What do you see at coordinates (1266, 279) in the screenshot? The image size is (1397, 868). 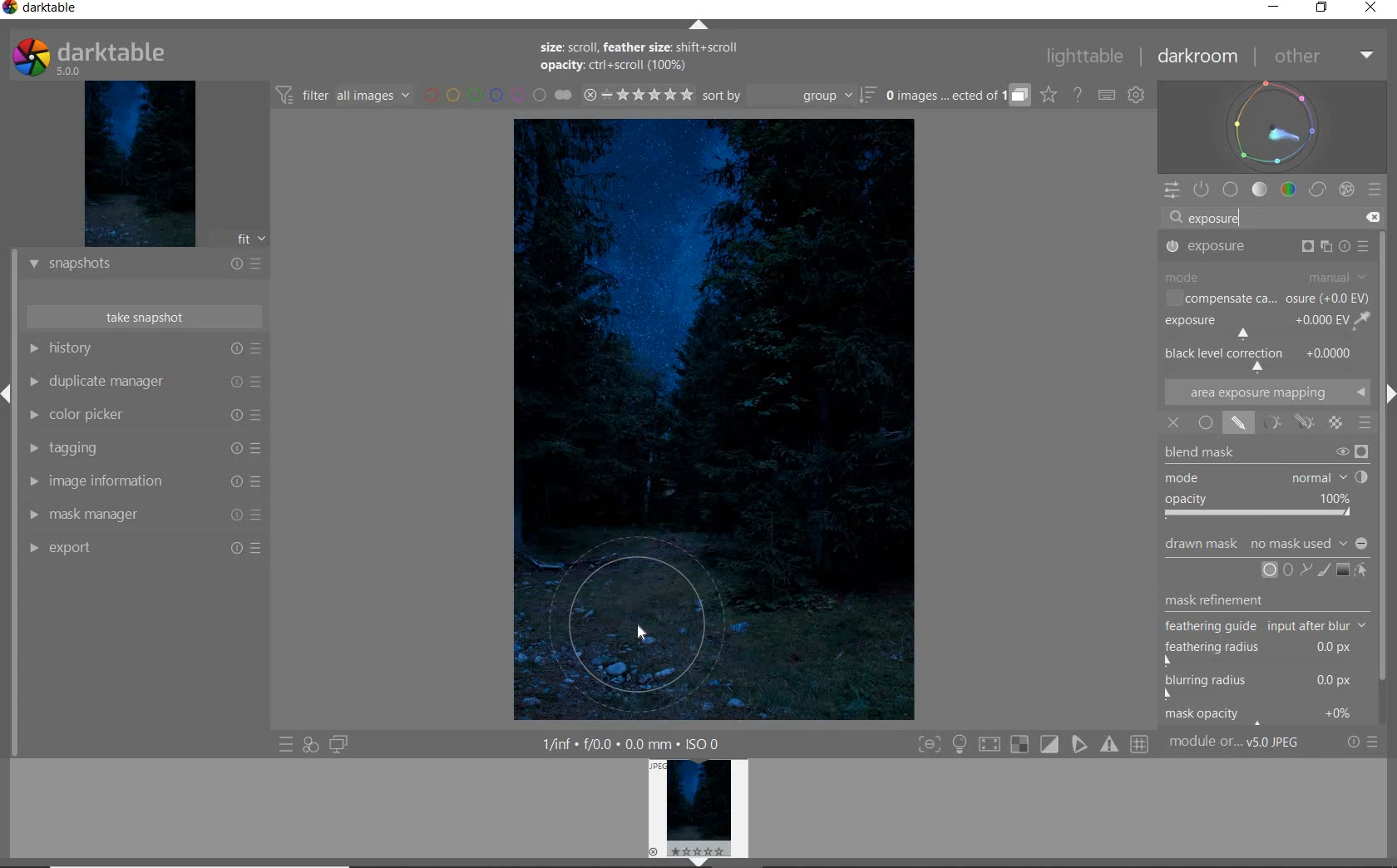 I see `MODE` at bounding box center [1266, 279].